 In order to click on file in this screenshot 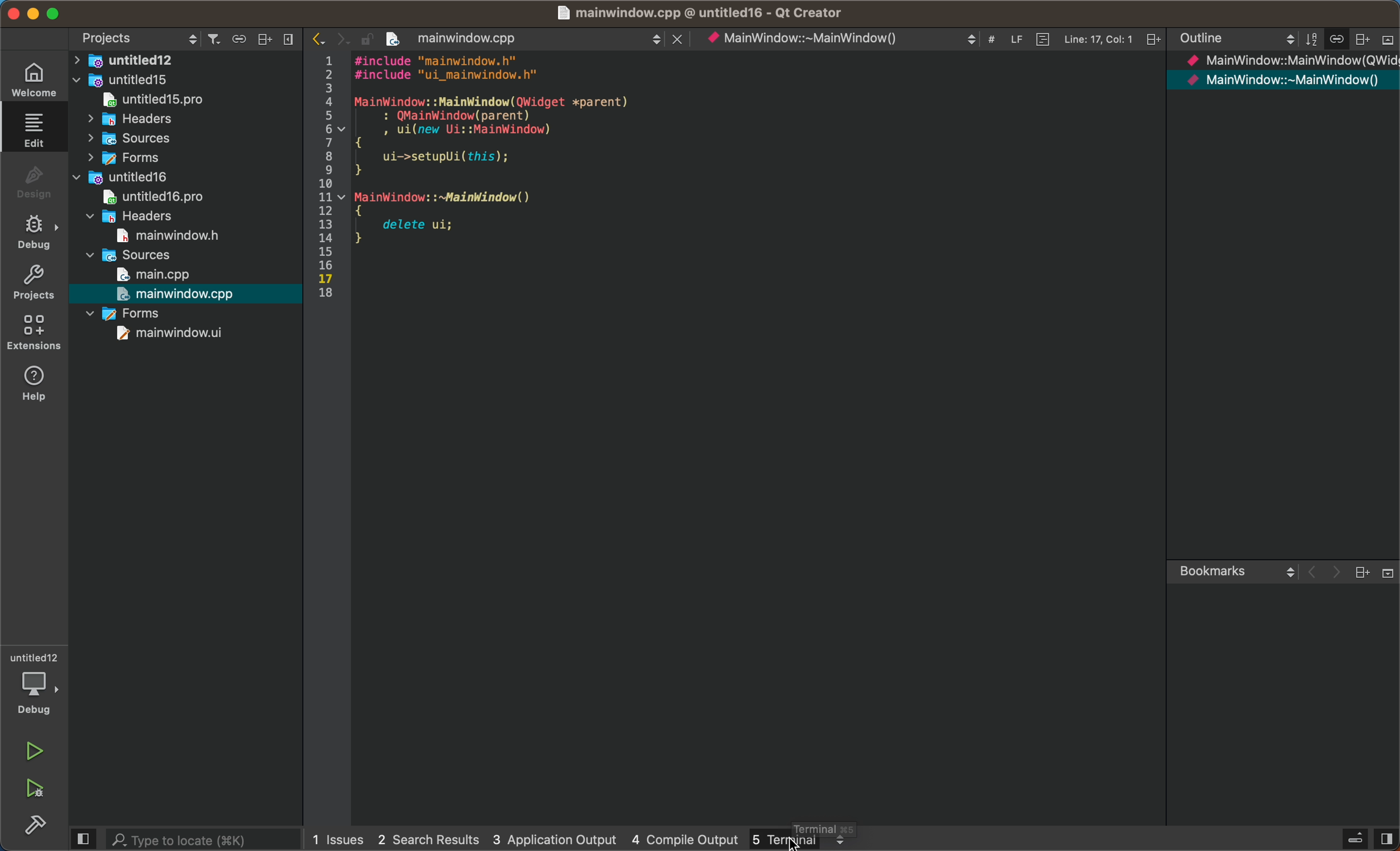, I will do `click(181, 293)`.